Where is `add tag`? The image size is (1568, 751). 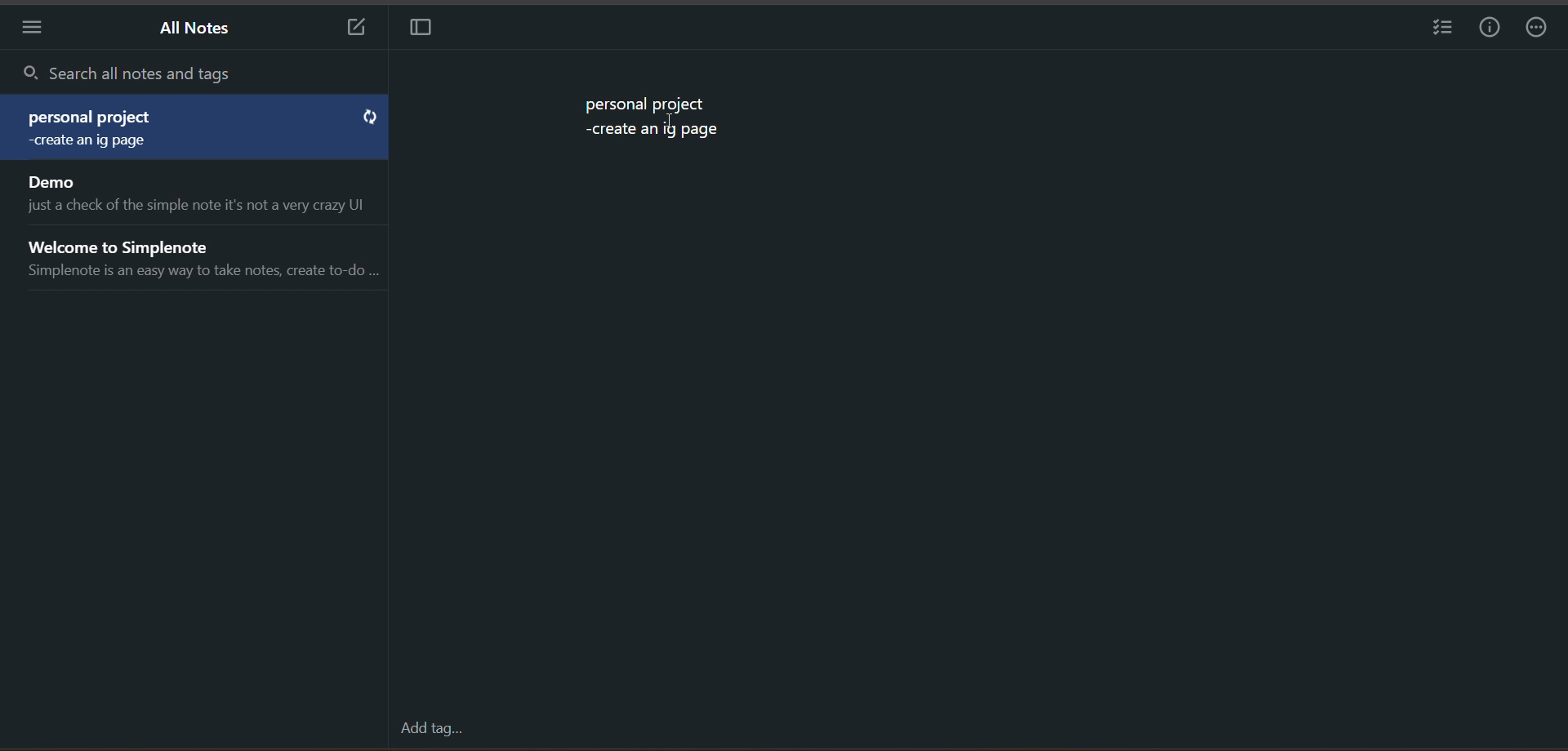 add tag is located at coordinates (431, 728).